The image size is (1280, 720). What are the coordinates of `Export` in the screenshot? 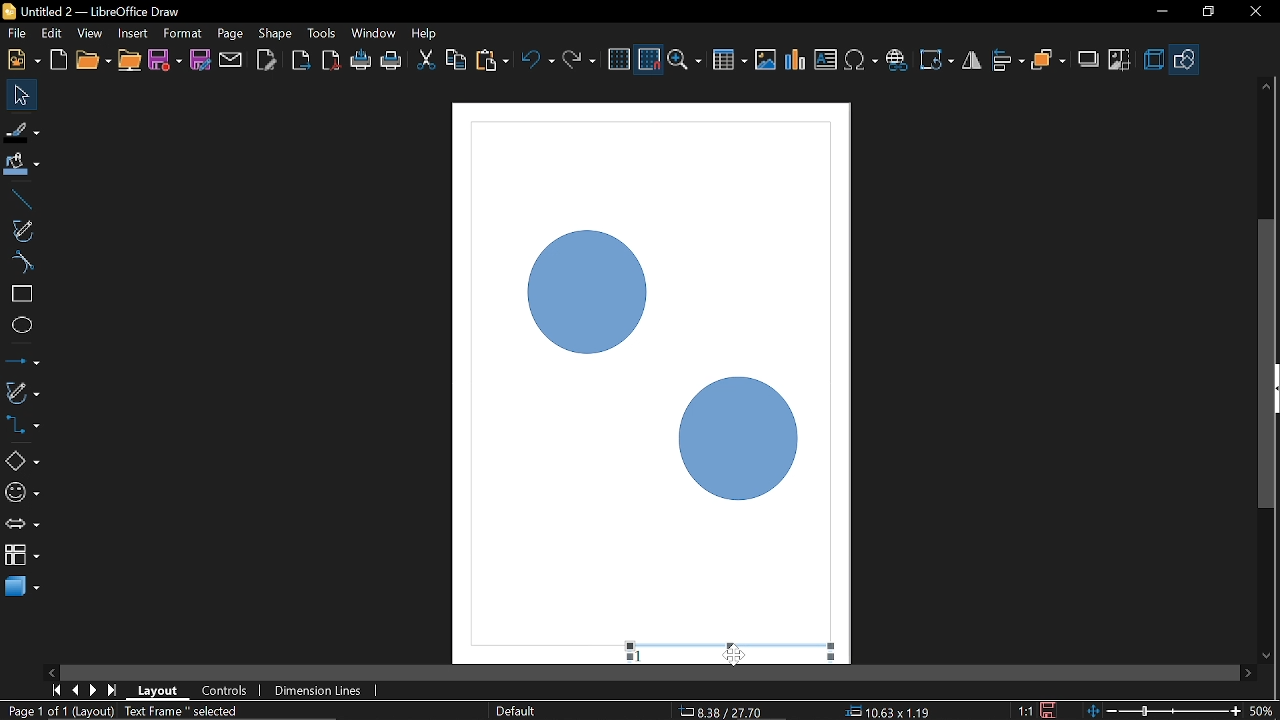 It's located at (299, 62).